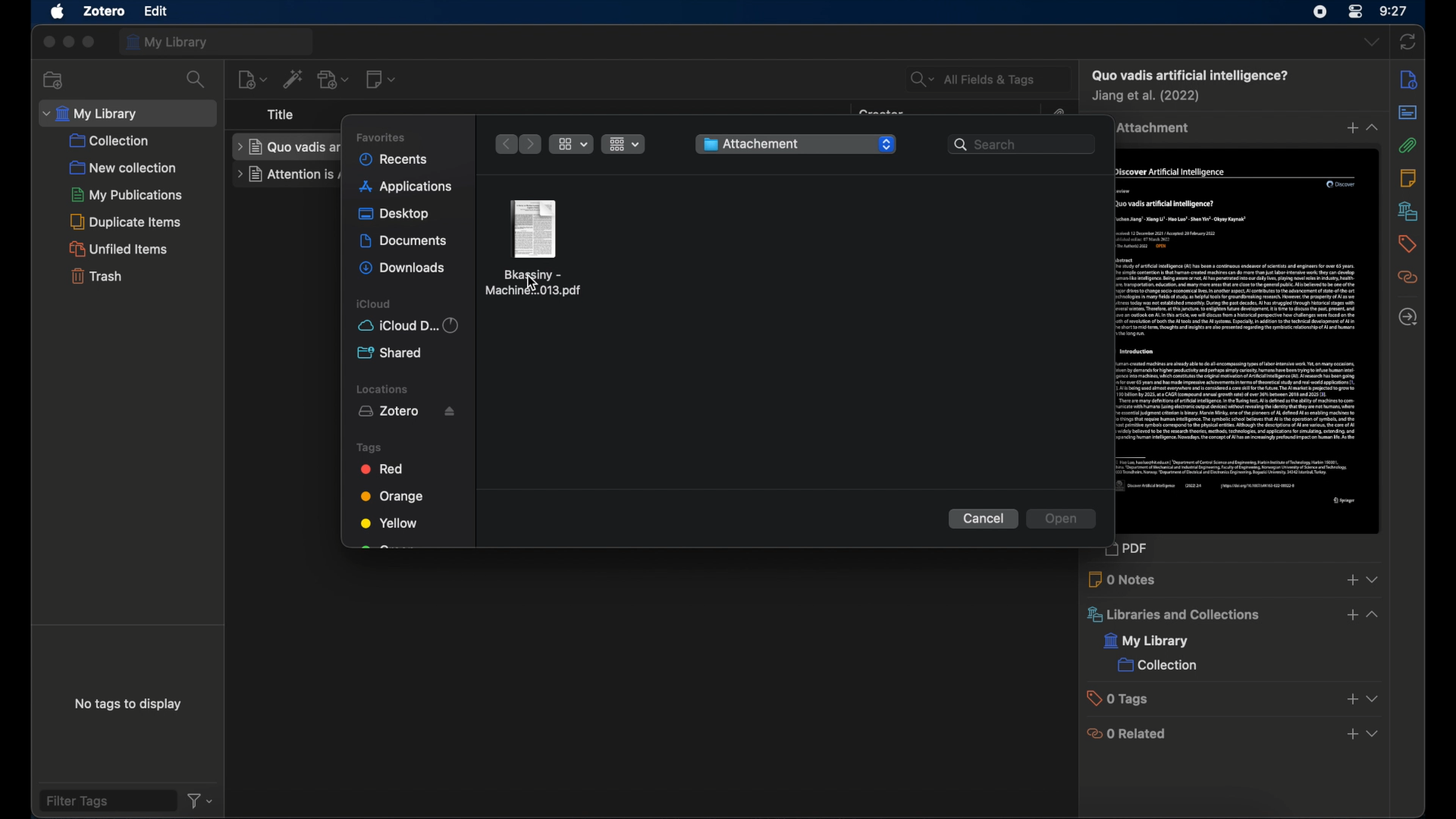  What do you see at coordinates (1156, 667) in the screenshot?
I see `collection` at bounding box center [1156, 667].